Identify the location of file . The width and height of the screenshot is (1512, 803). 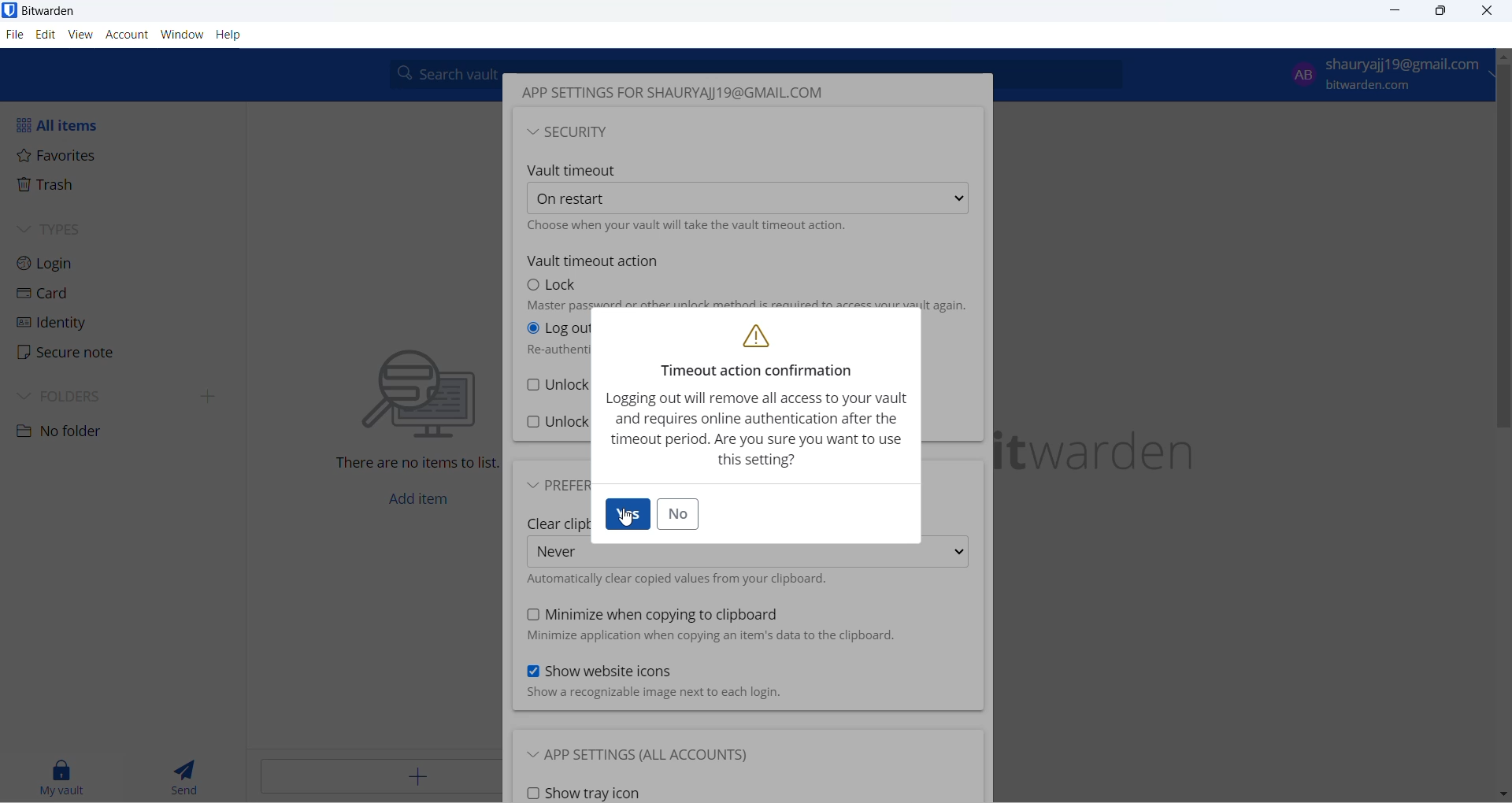
(17, 37).